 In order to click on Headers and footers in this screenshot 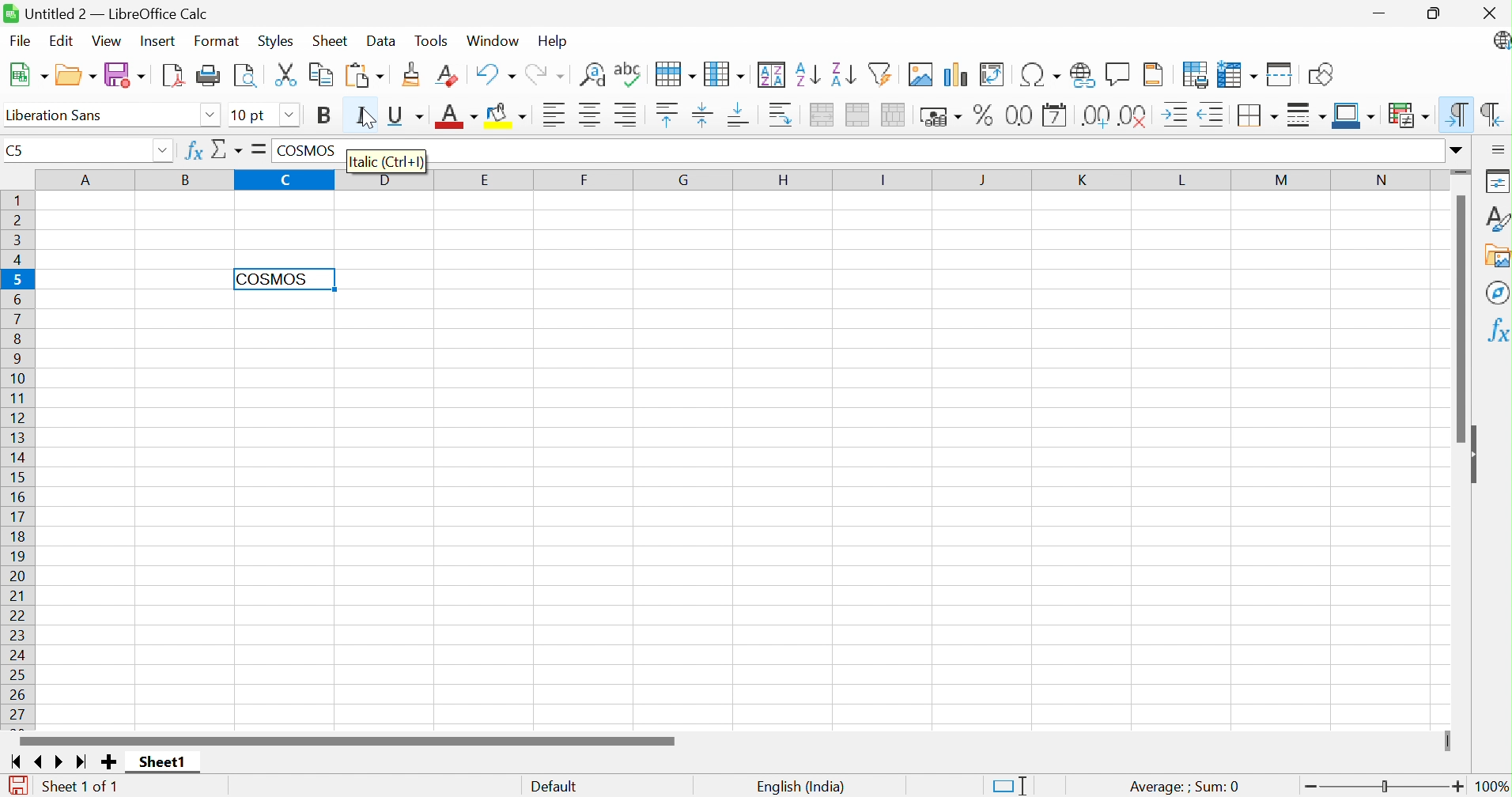, I will do `click(1153, 76)`.